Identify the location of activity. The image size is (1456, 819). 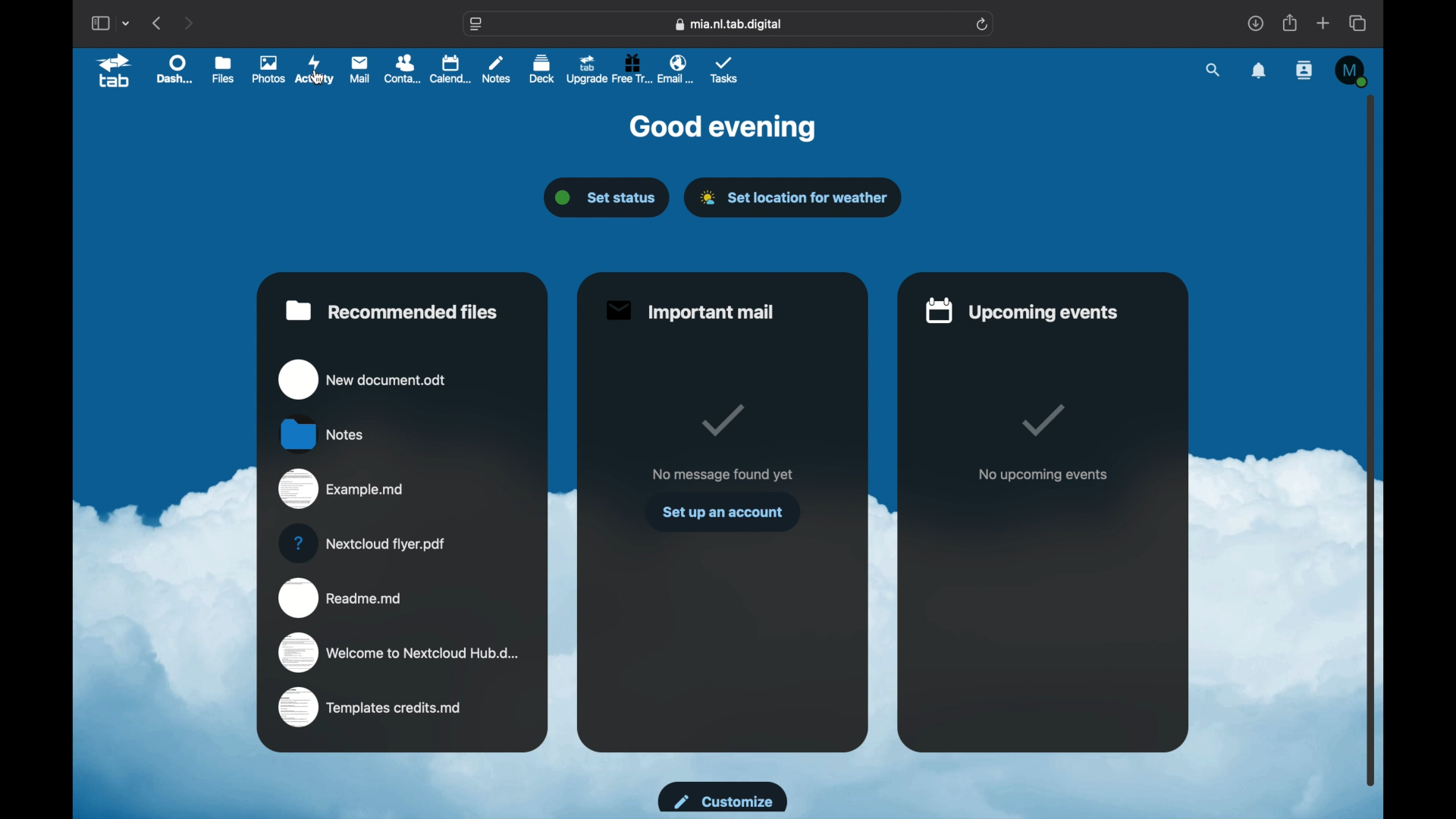
(315, 71).